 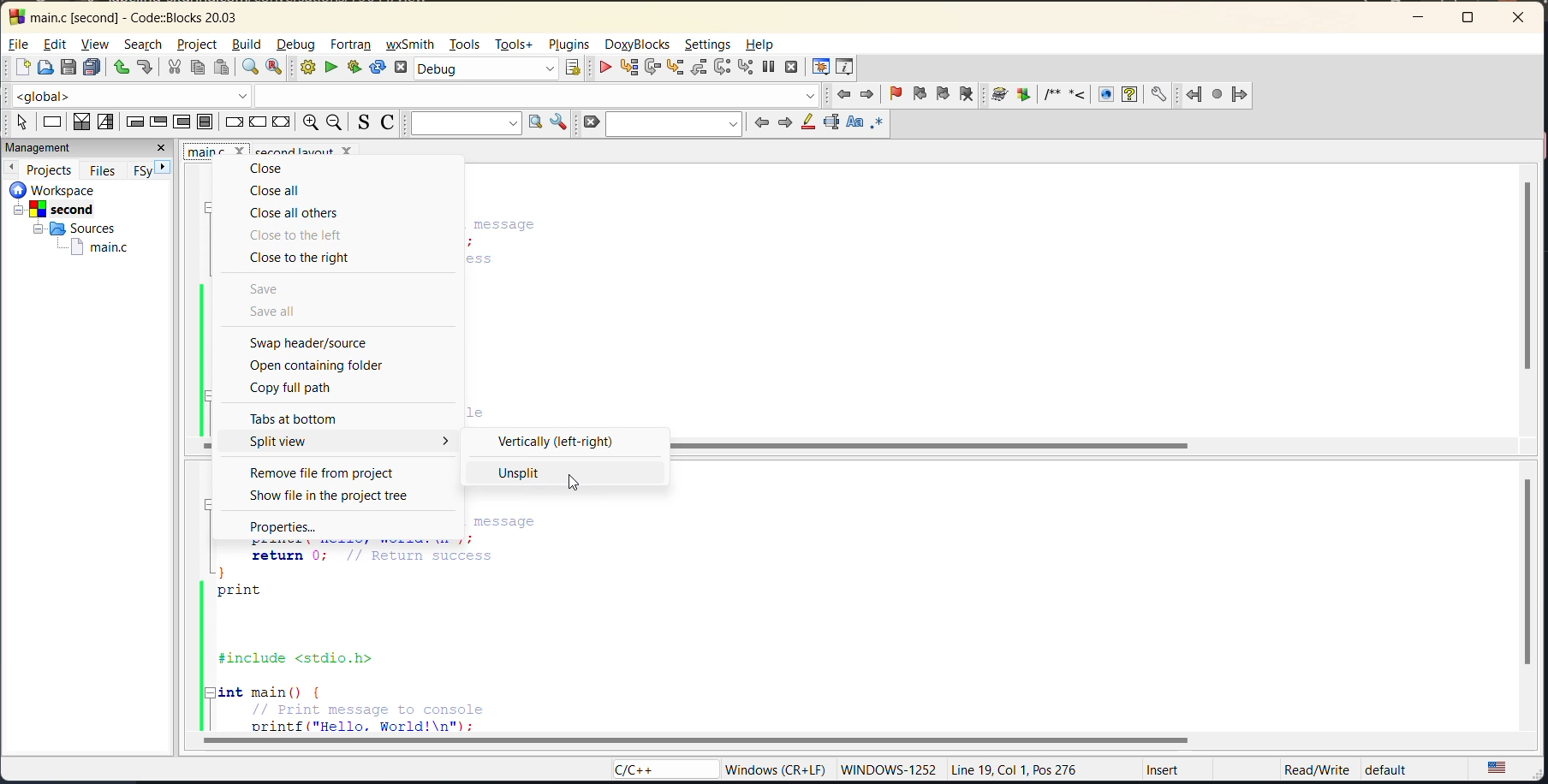 I want to click on jump back, so click(x=846, y=95).